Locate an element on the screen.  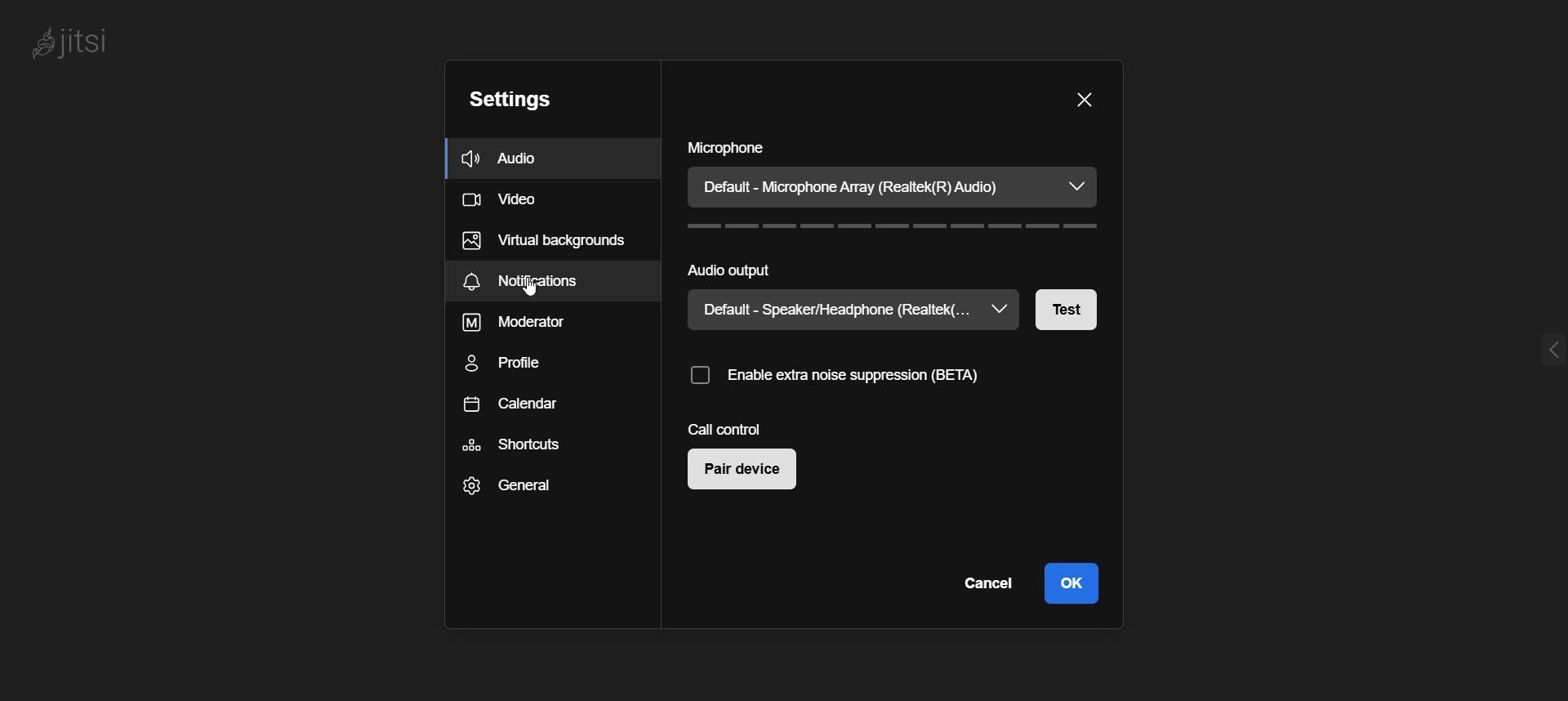
Calendar is located at coordinates (514, 403).